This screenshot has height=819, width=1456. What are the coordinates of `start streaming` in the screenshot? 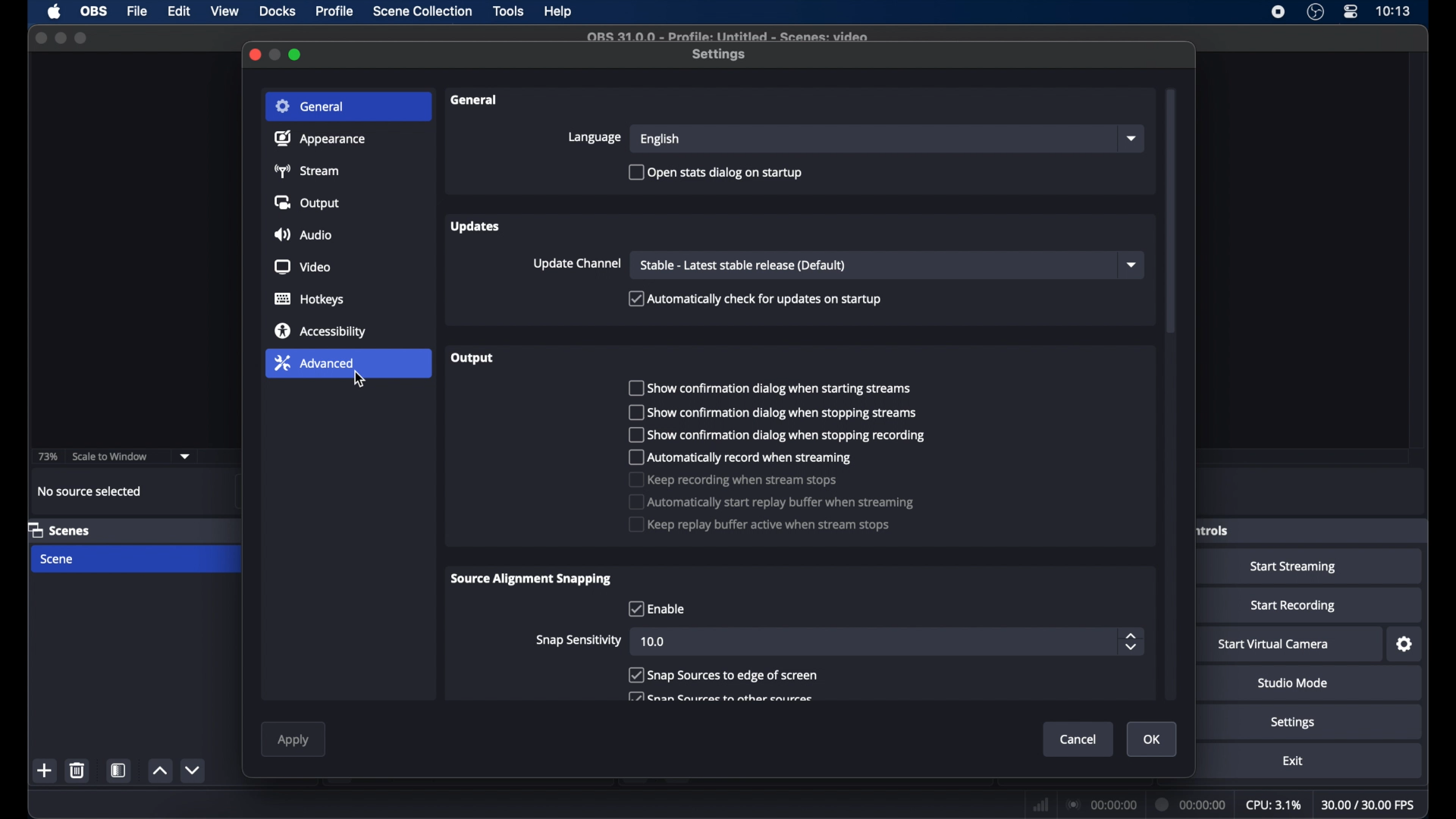 It's located at (1294, 567).